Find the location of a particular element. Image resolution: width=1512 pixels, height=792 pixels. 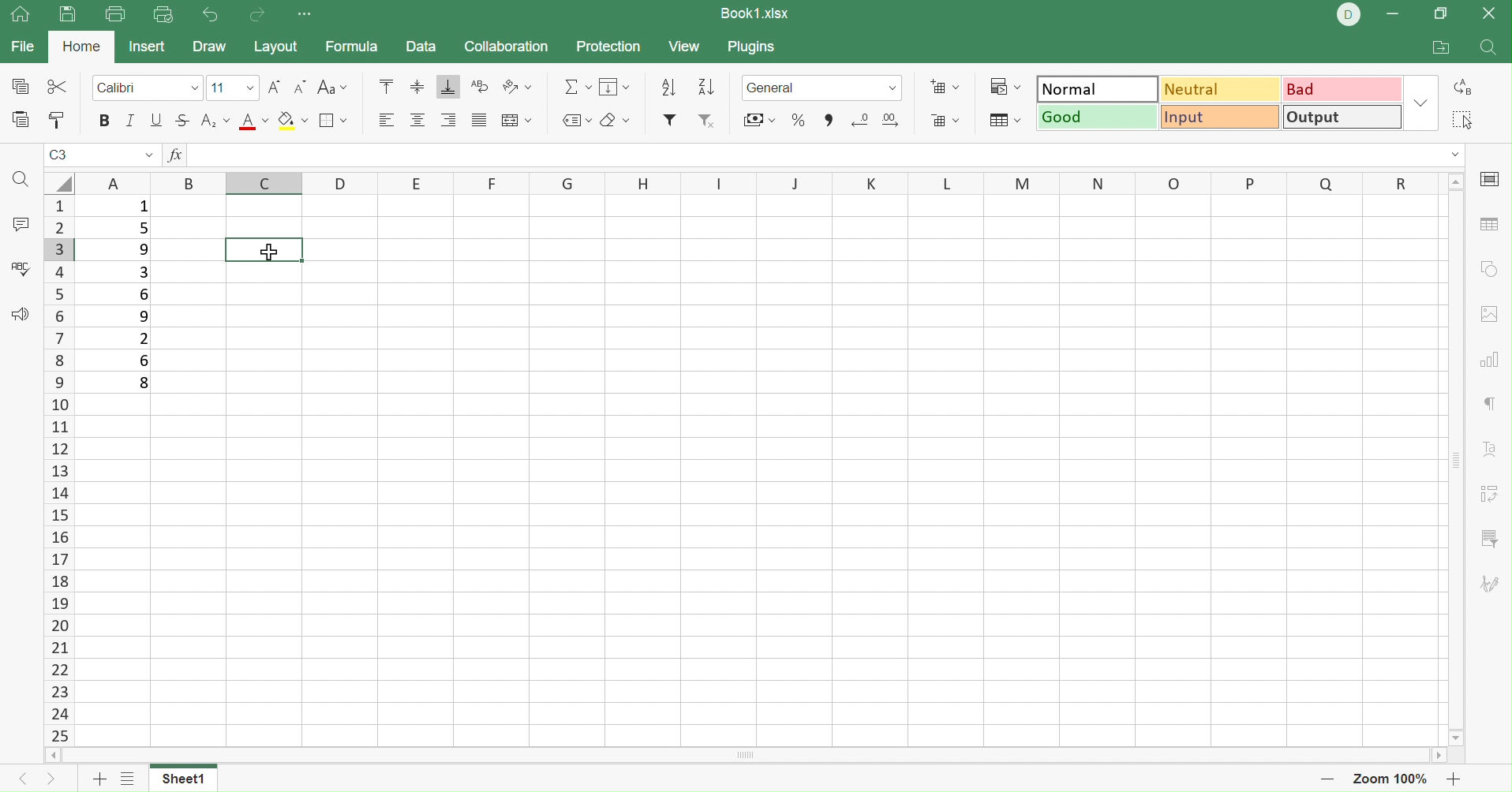

Replace is located at coordinates (1467, 85).